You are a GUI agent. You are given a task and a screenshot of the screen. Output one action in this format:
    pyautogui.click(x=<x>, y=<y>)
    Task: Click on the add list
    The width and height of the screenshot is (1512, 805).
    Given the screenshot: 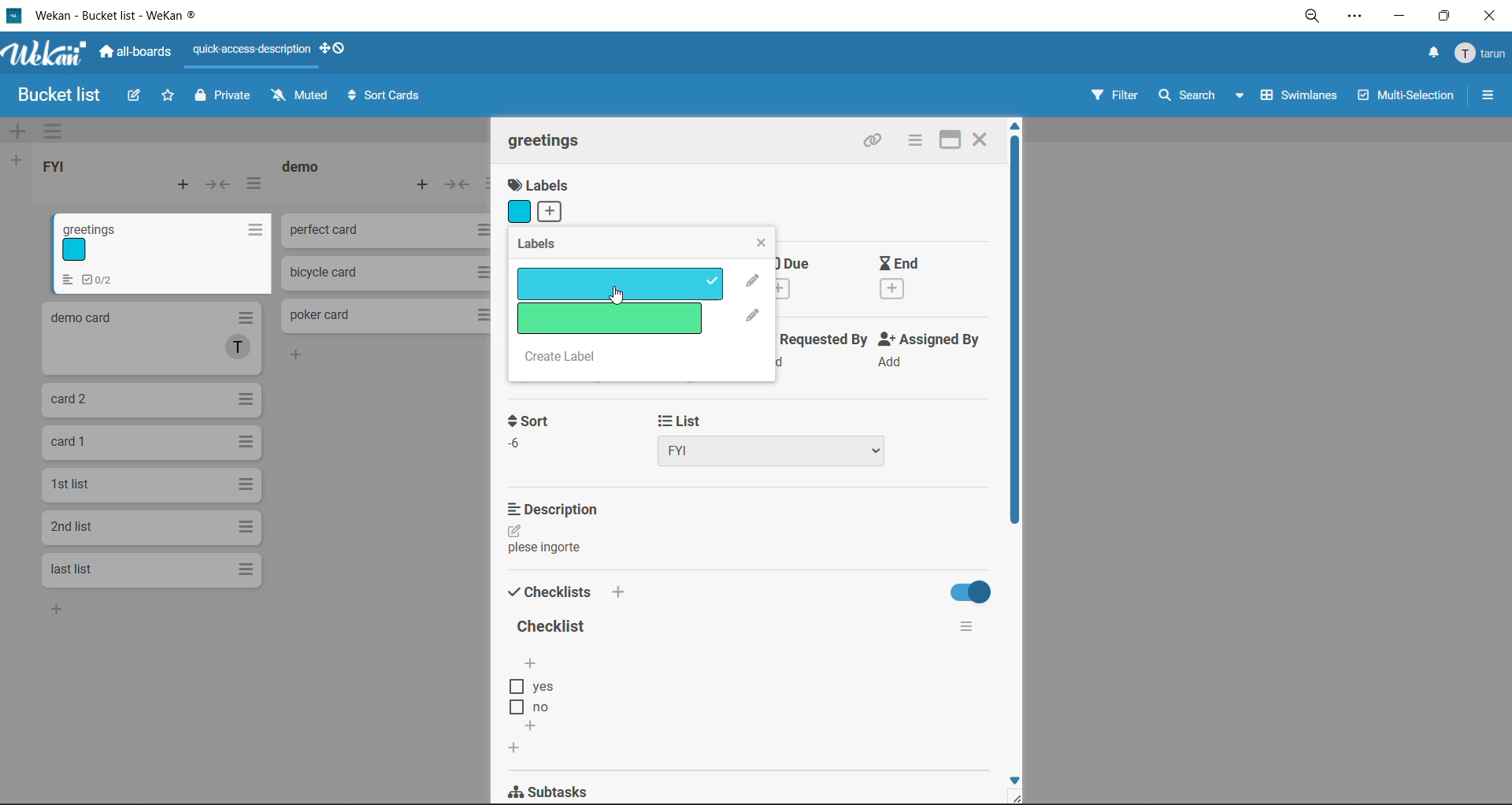 What is the action you would take?
    pyautogui.click(x=17, y=161)
    